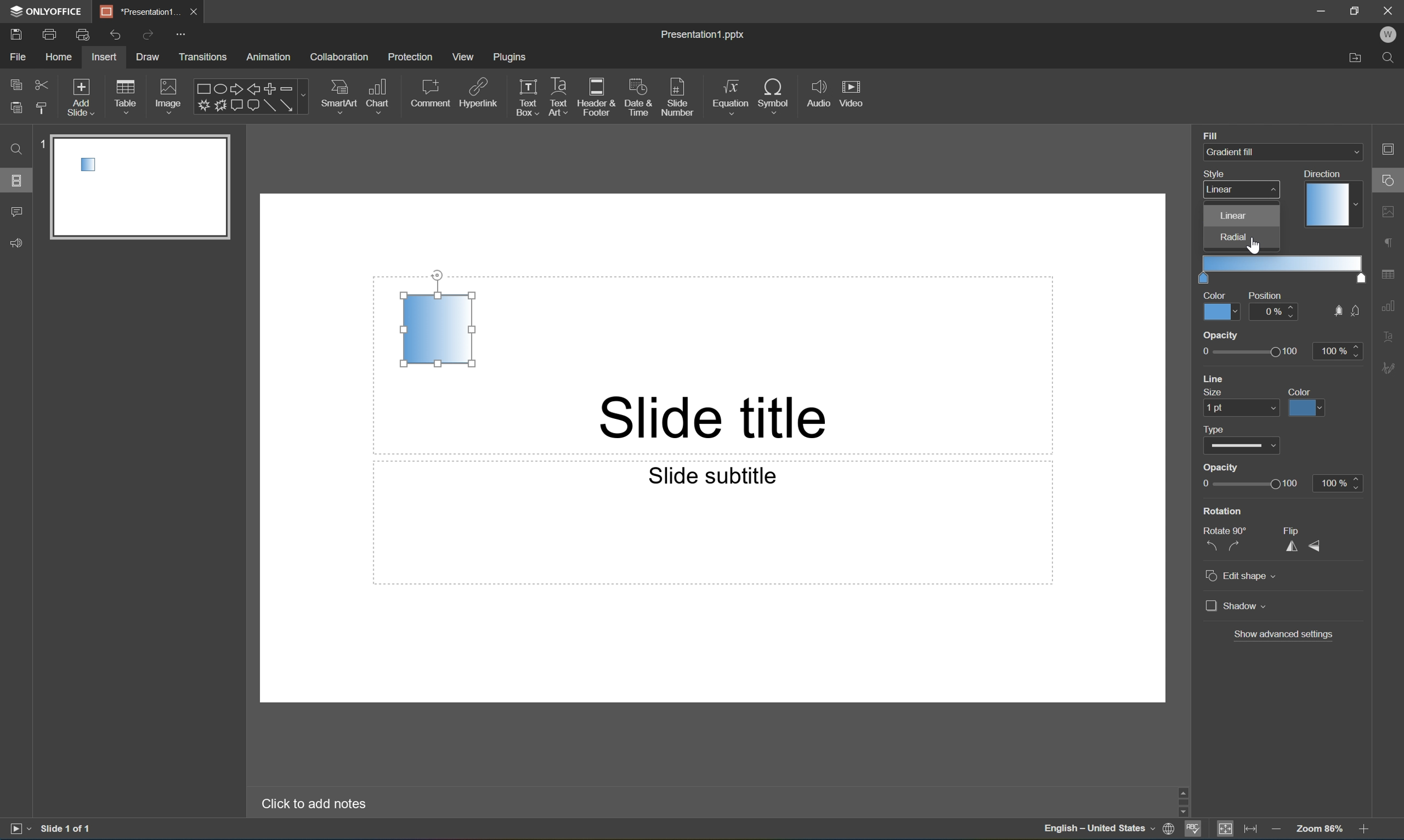 This screenshot has height=840, width=1404. Describe the element at coordinates (192, 12) in the screenshot. I see `Close` at that location.